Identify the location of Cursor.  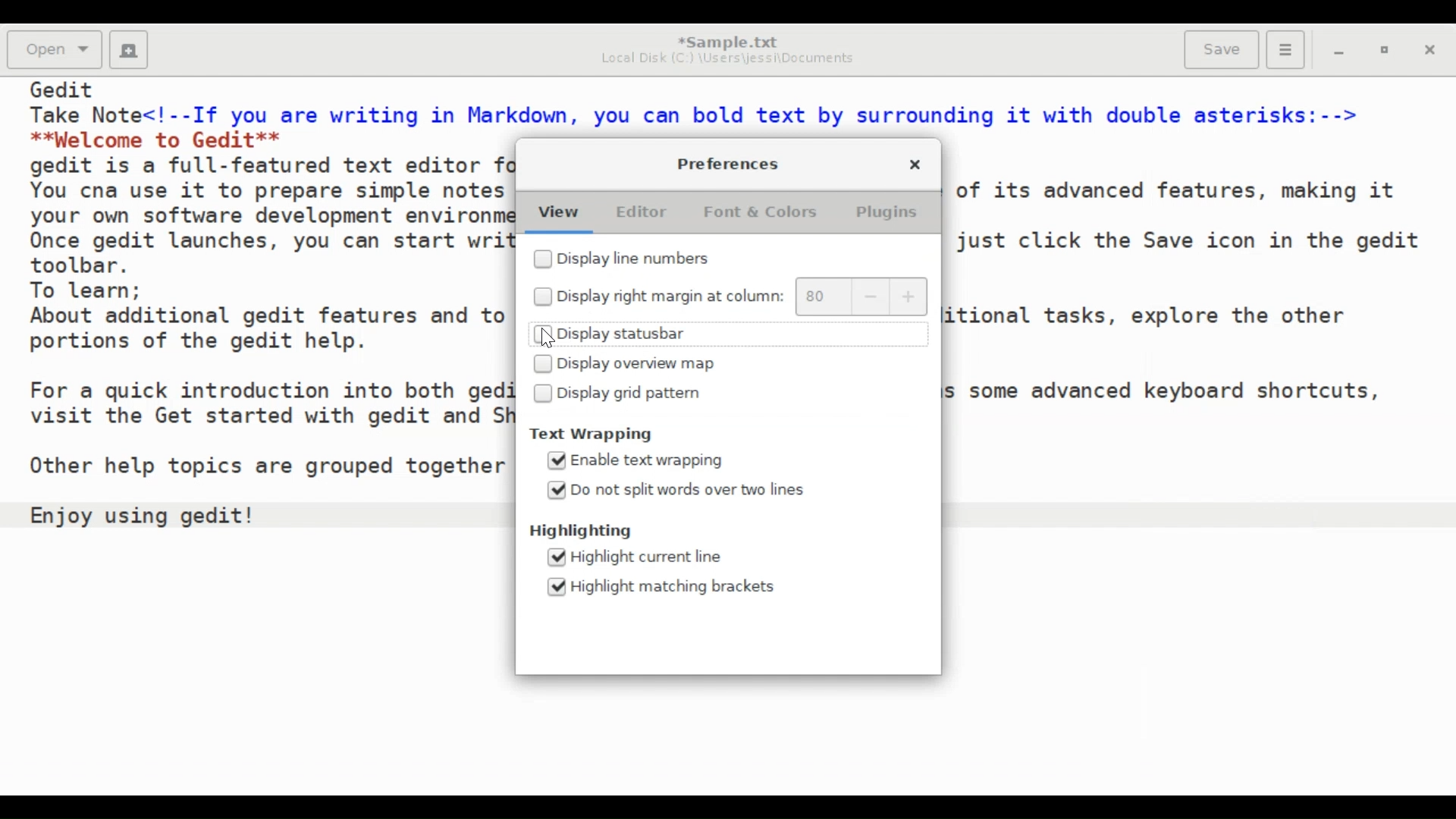
(548, 338).